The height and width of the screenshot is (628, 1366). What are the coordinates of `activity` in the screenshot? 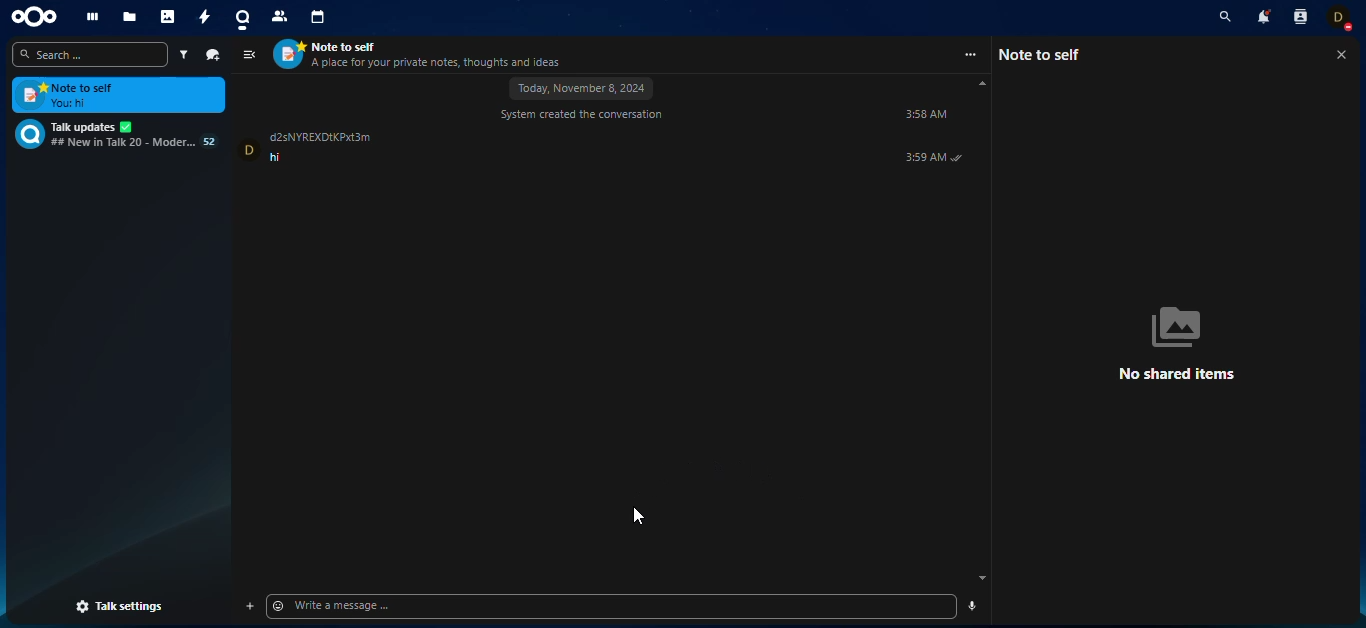 It's located at (203, 18).